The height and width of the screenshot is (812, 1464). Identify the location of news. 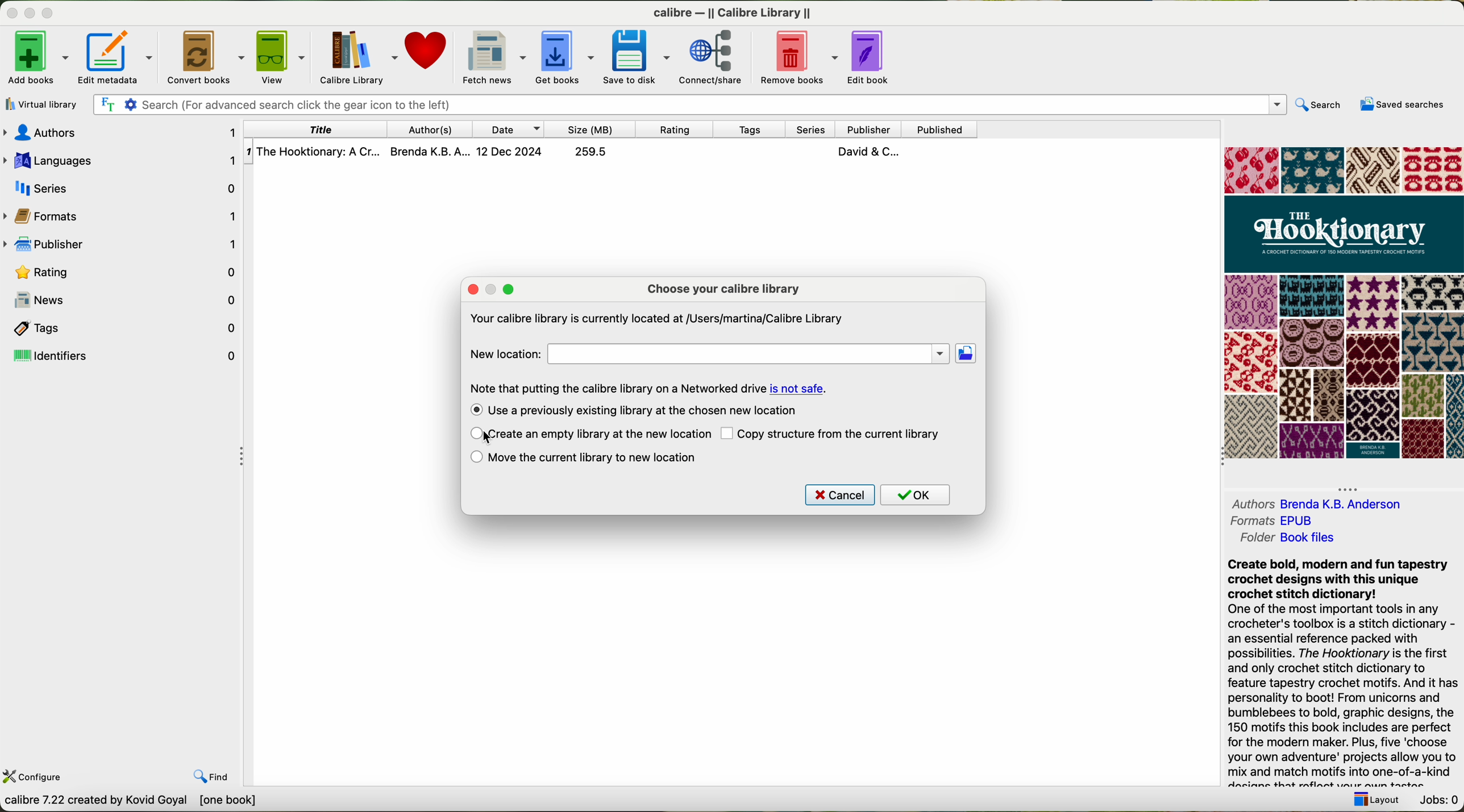
(132, 300).